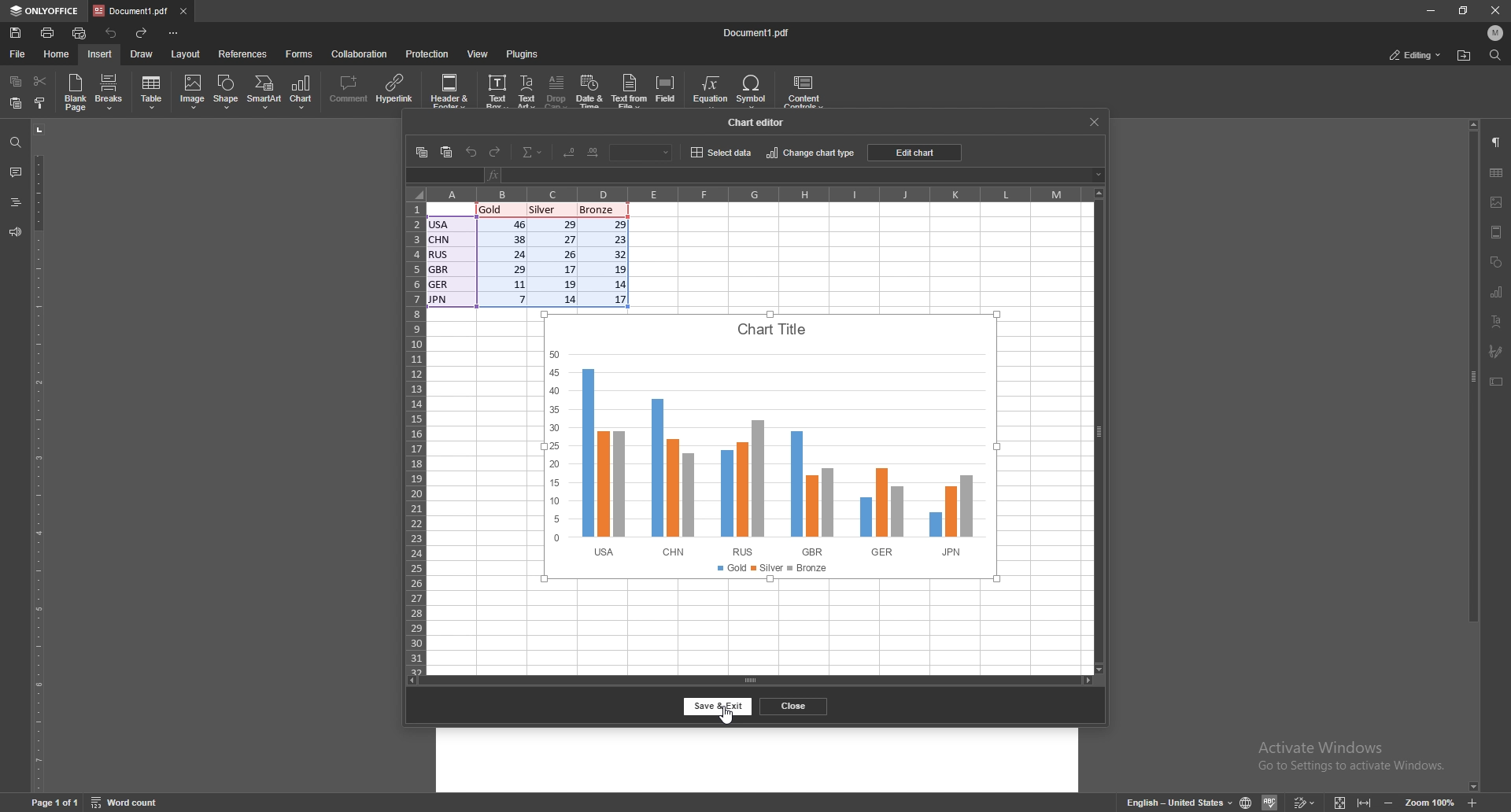 The height and width of the screenshot is (812, 1511). Describe the element at coordinates (439, 284) in the screenshot. I see `GER` at that location.